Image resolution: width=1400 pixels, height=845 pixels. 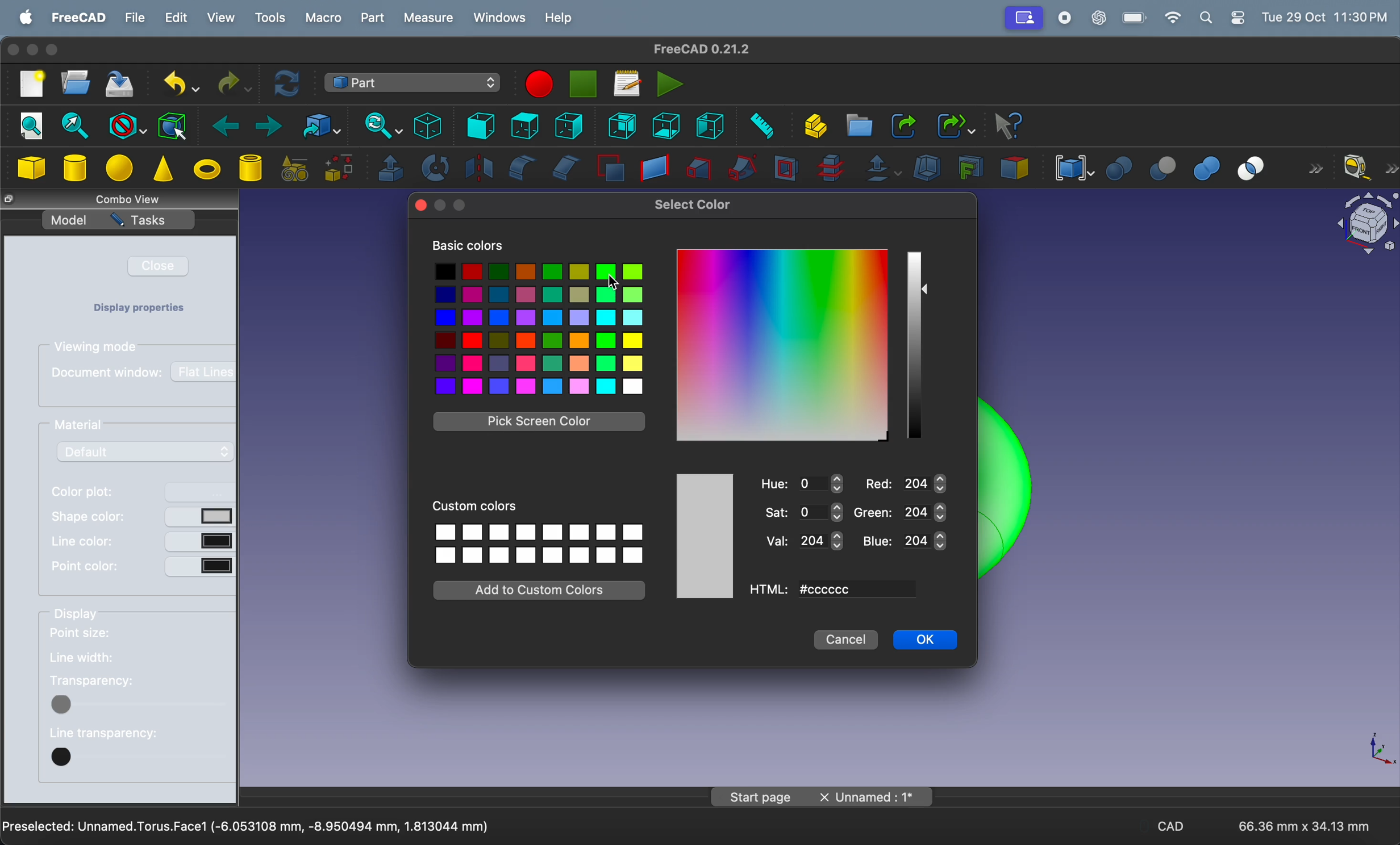 I want to click on sphere, so click(x=119, y=169).